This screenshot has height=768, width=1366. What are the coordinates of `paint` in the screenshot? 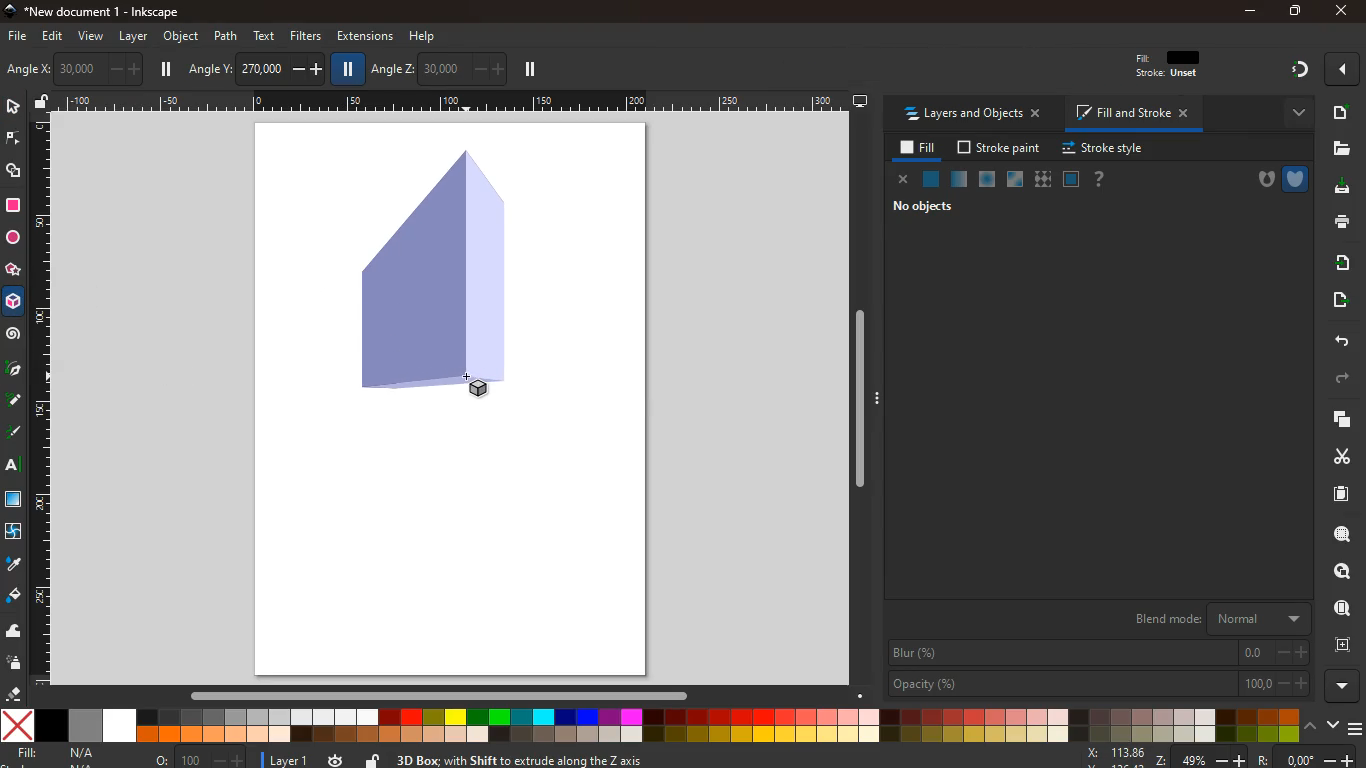 It's located at (13, 597).